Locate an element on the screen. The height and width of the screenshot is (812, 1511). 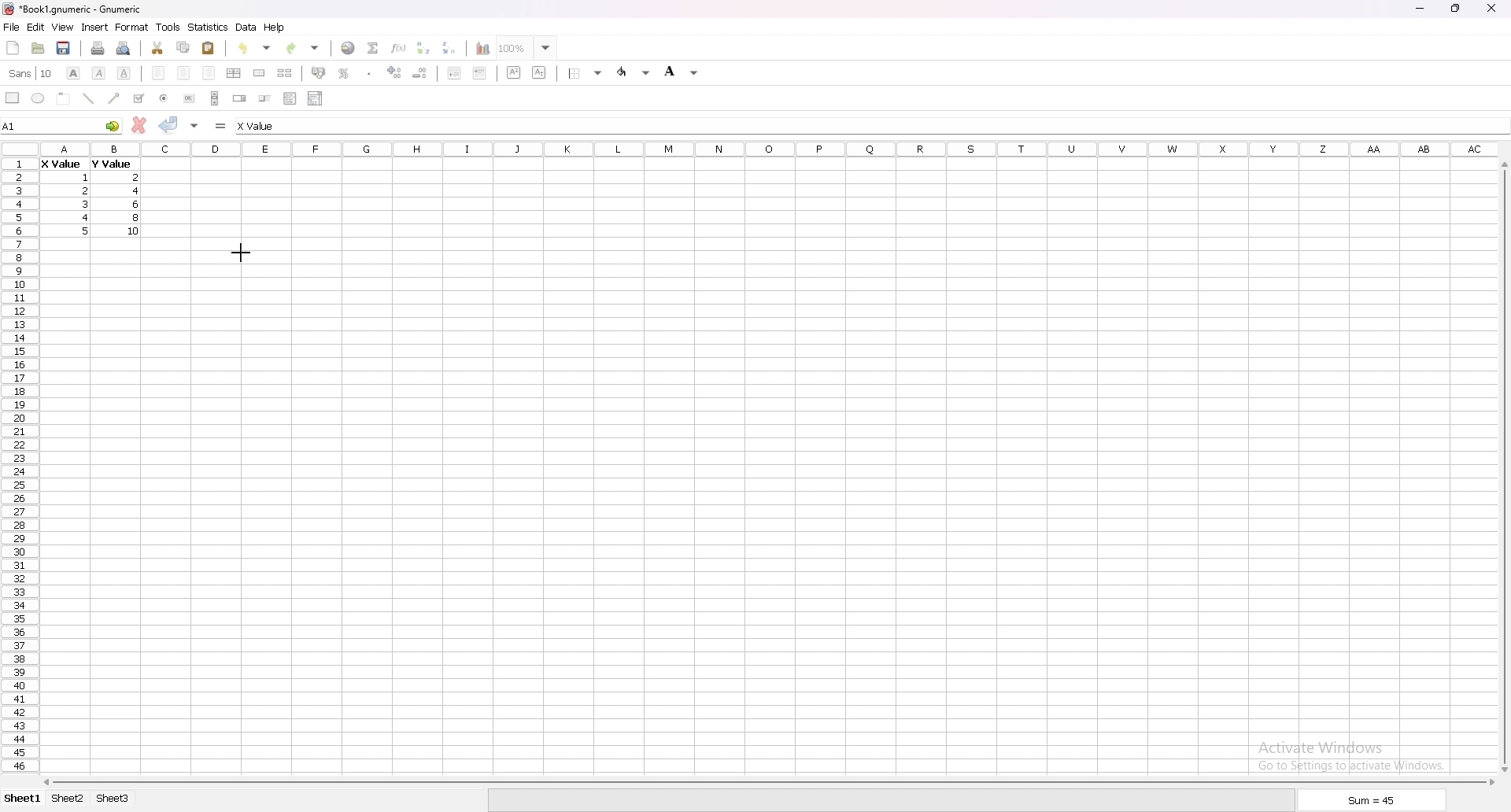
left align is located at coordinates (158, 72).